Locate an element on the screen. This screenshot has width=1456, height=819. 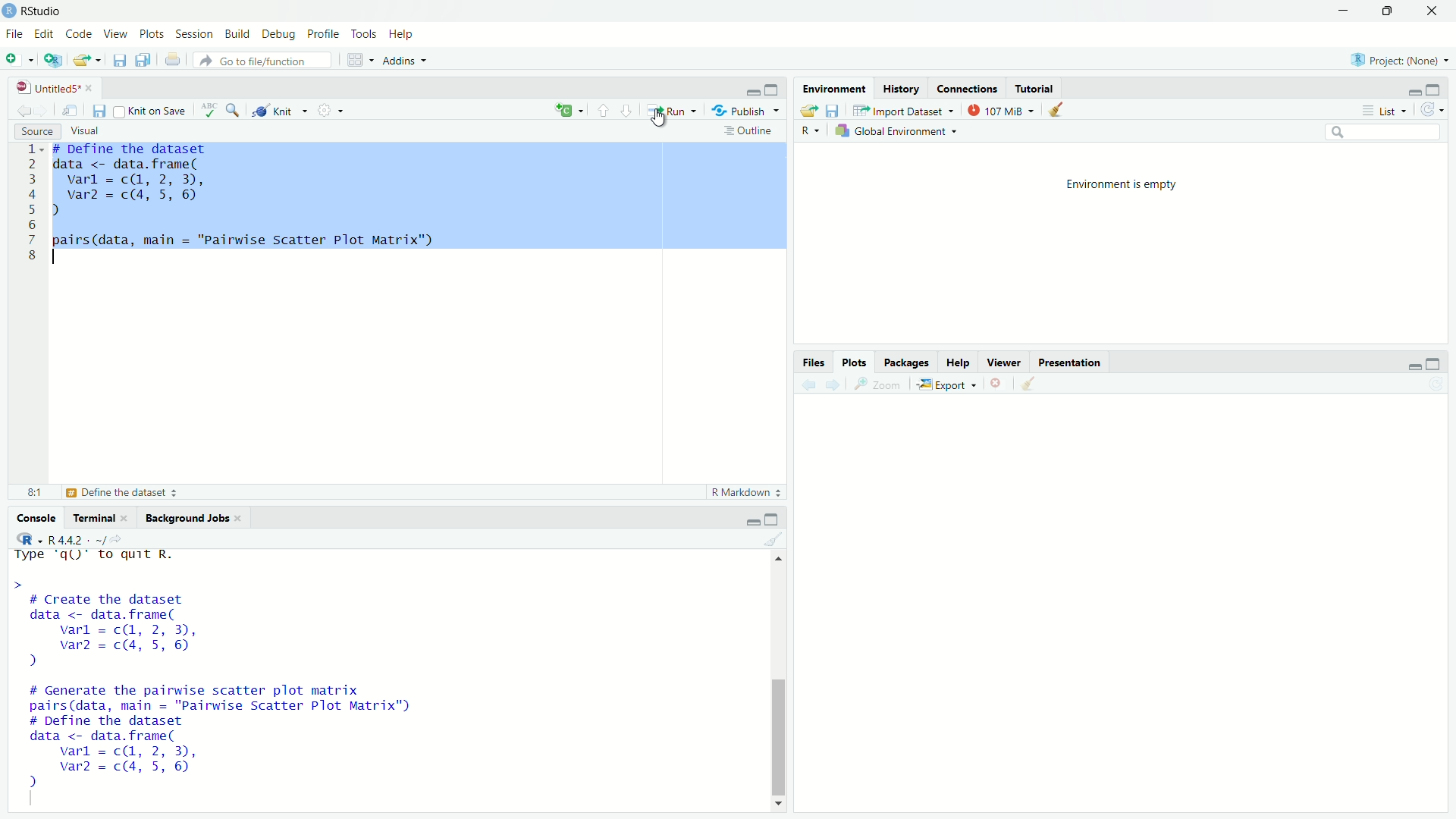
Untitled5* is located at coordinates (56, 88).